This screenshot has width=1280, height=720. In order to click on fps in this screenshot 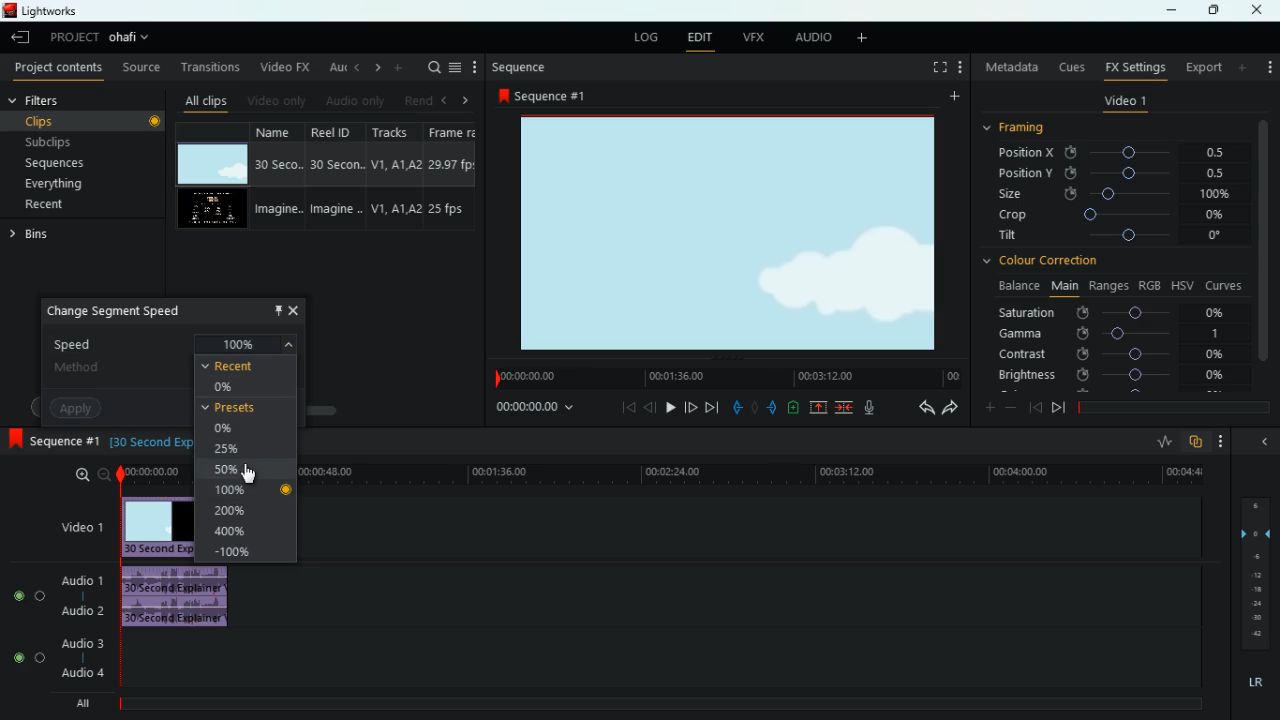, I will do `click(450, 176)`.